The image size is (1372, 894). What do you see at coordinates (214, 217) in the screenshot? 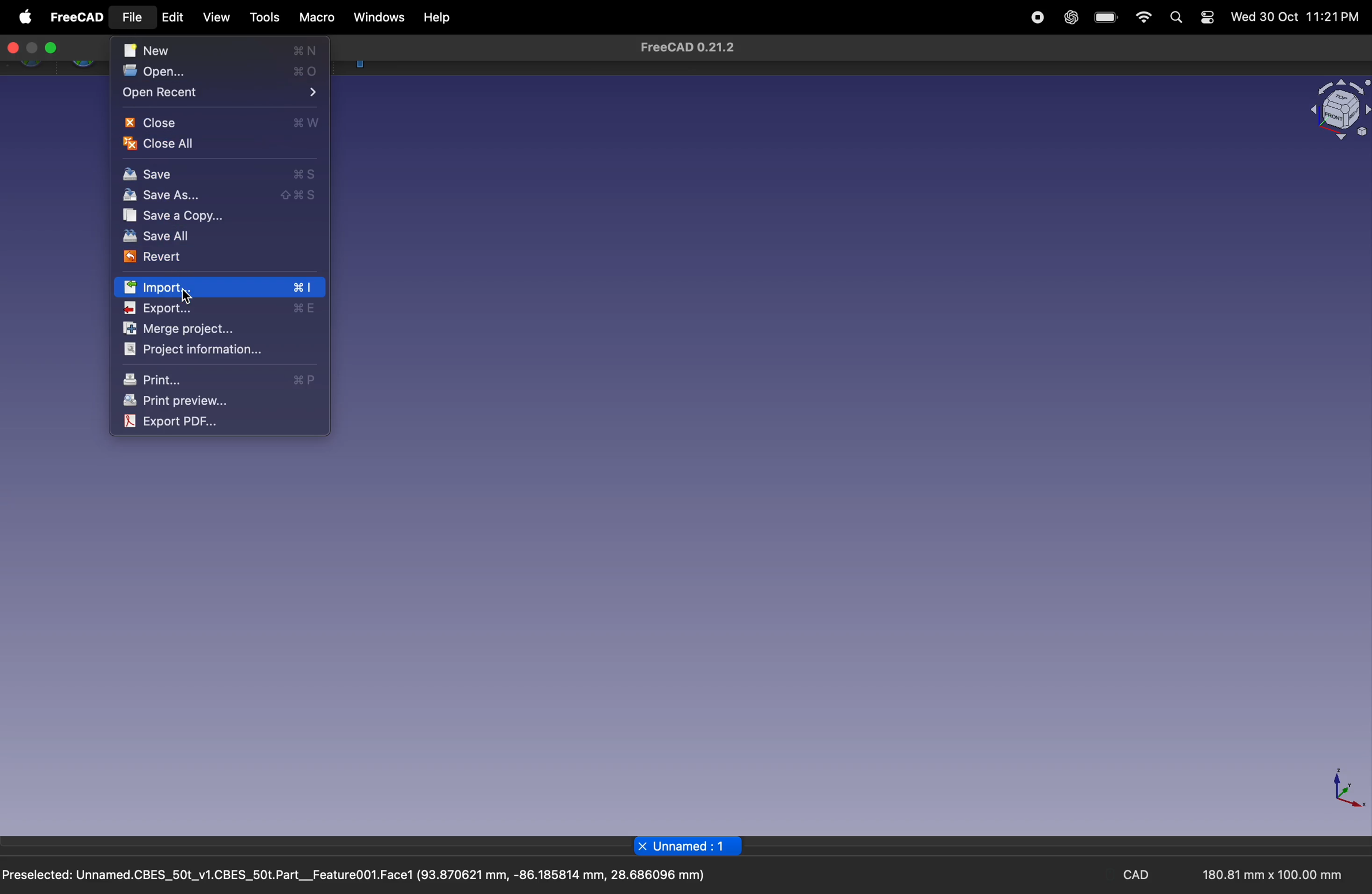
I see `save a copy` at bounding box center [214, 217].